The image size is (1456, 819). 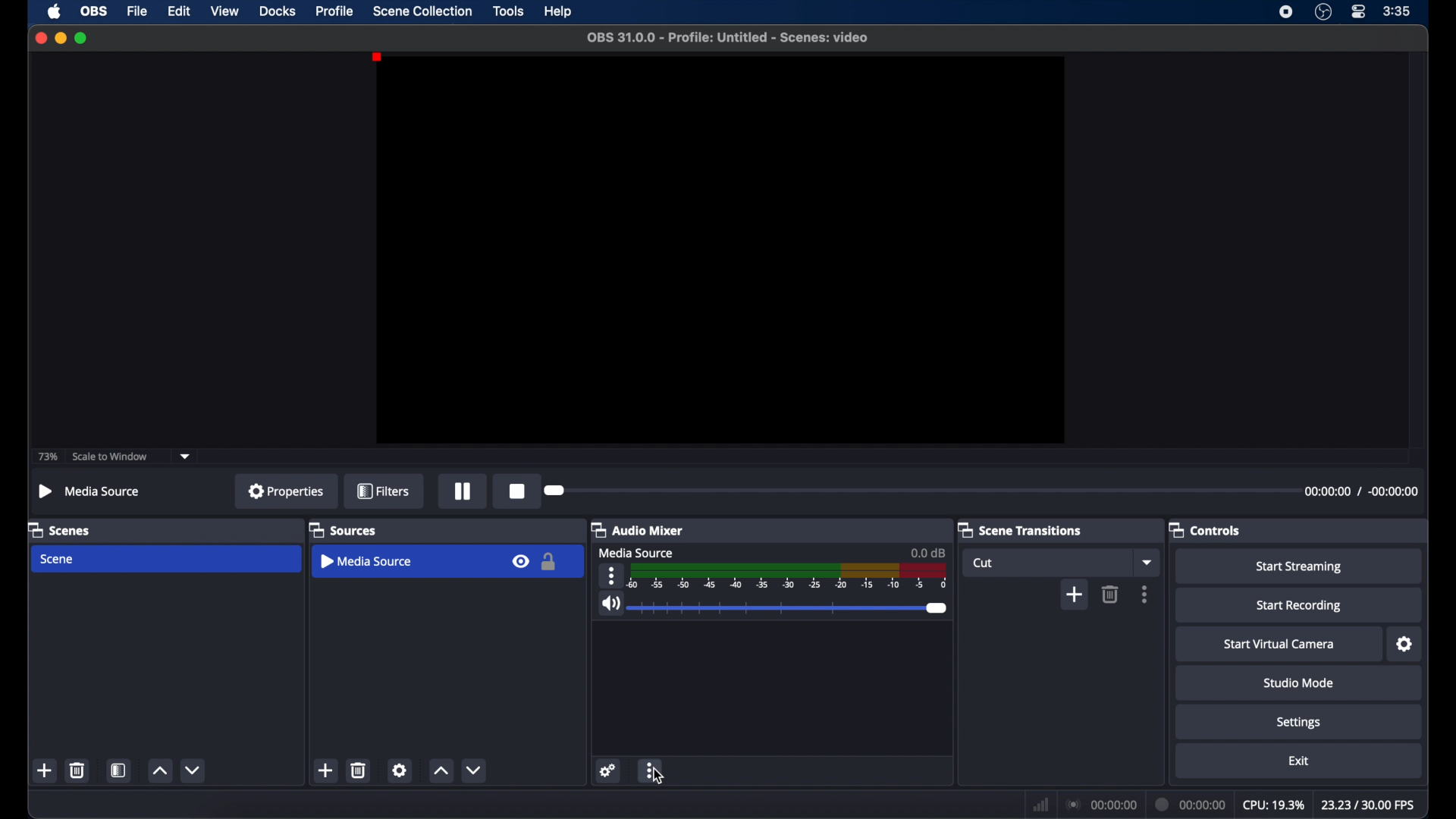 I want to click on add, so click(x=326, y=770).